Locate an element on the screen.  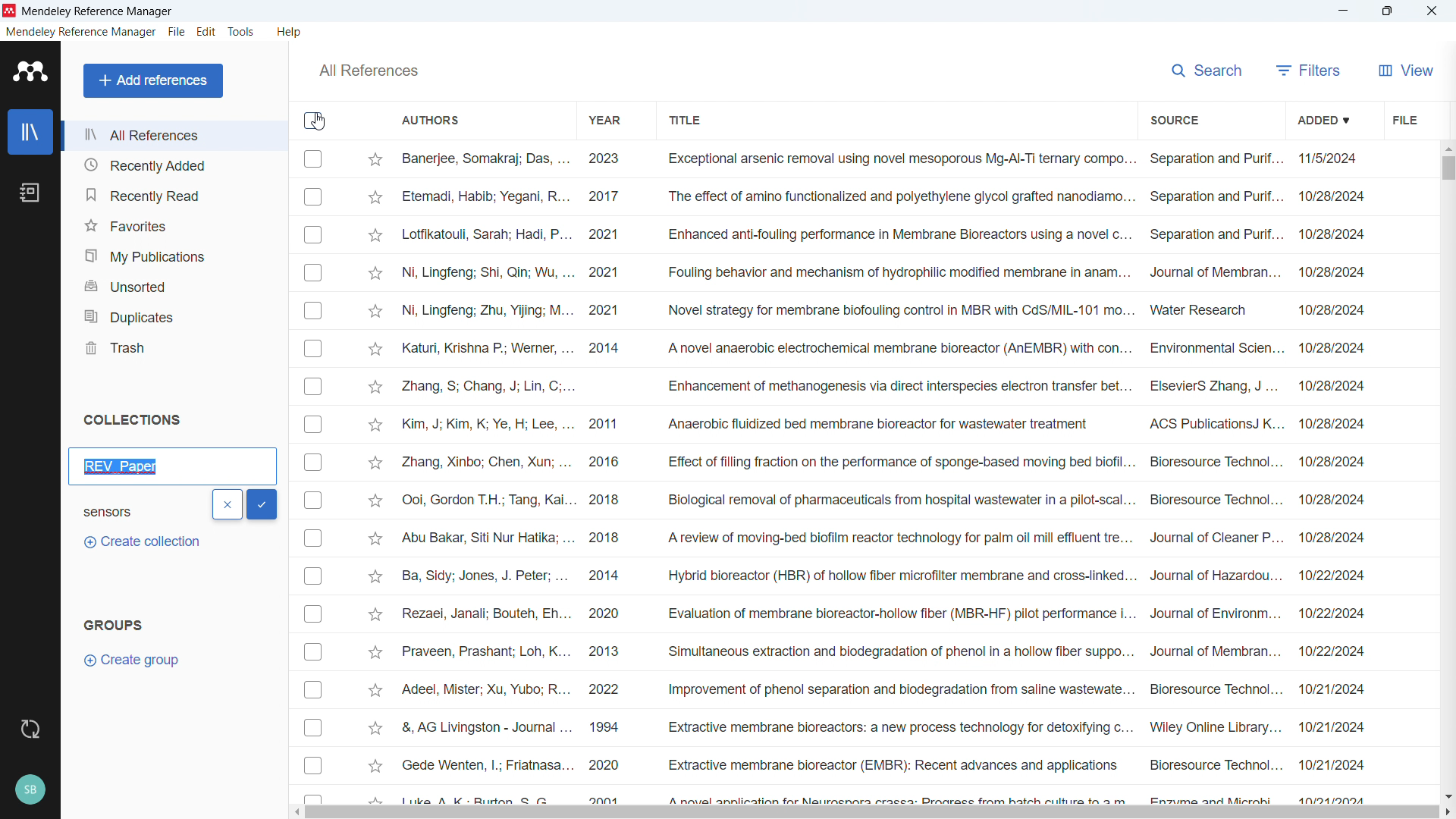
Ooi, Gordon T.H.; Tang, Kai... 2018 Biological removal of pharmaceuticals from hospital wastewater in a pilot-scal... Bioresource Technol... 10/28/2024 is located at coordinates (883, 499).